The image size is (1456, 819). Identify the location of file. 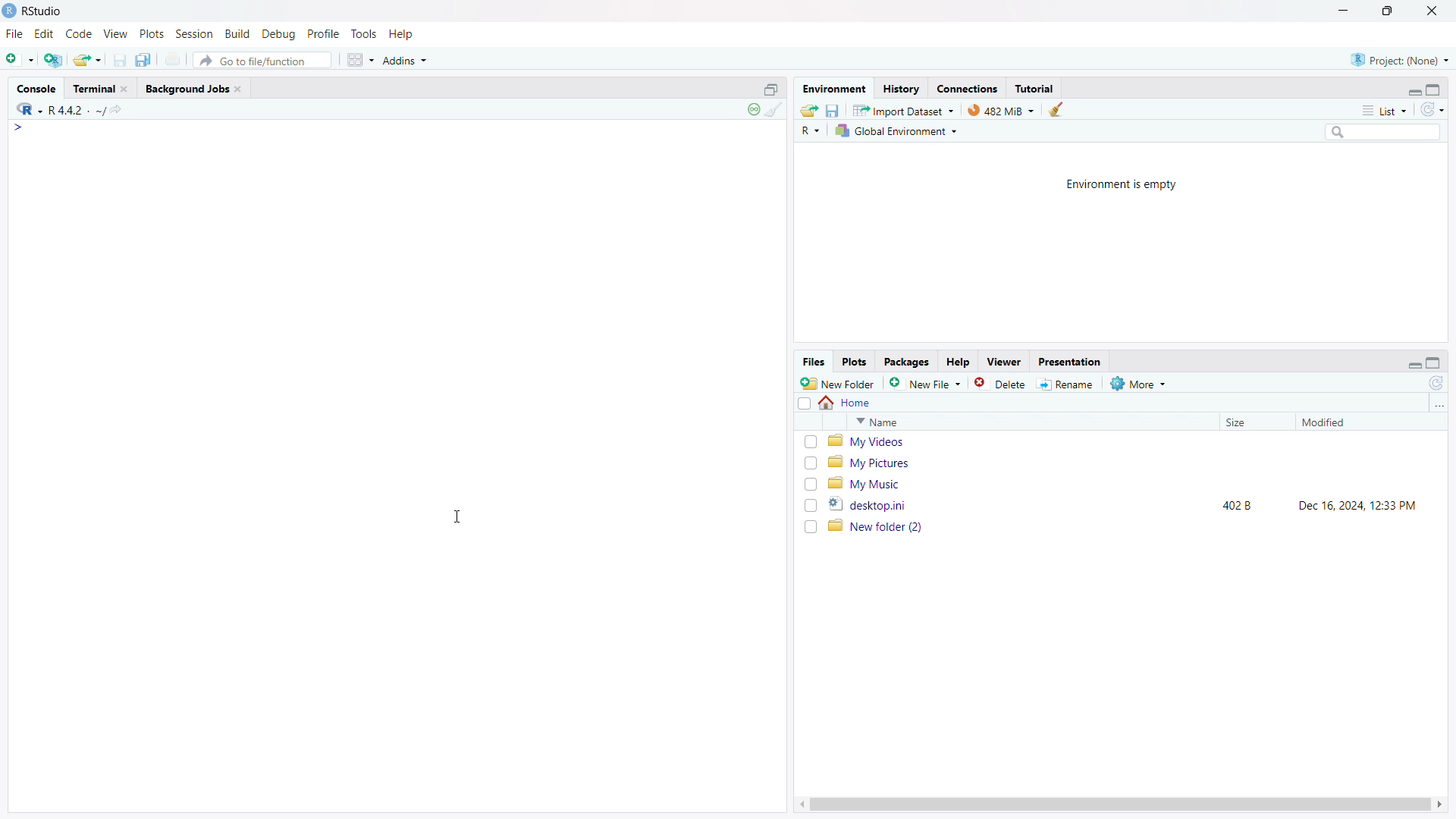
(14, 34).